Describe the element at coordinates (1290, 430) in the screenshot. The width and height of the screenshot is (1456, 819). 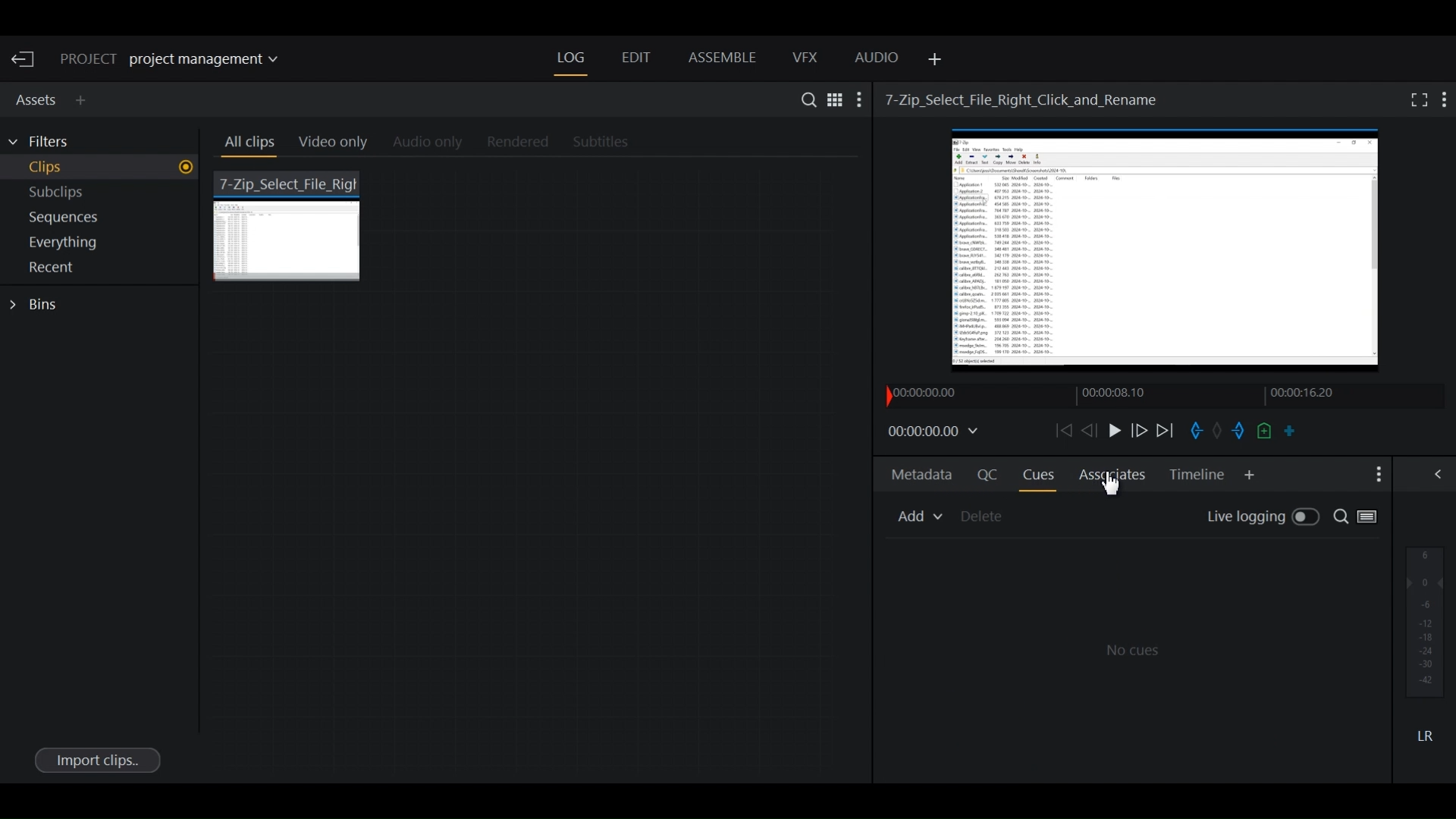
I see `Make a subclip from the marked section` at that location.